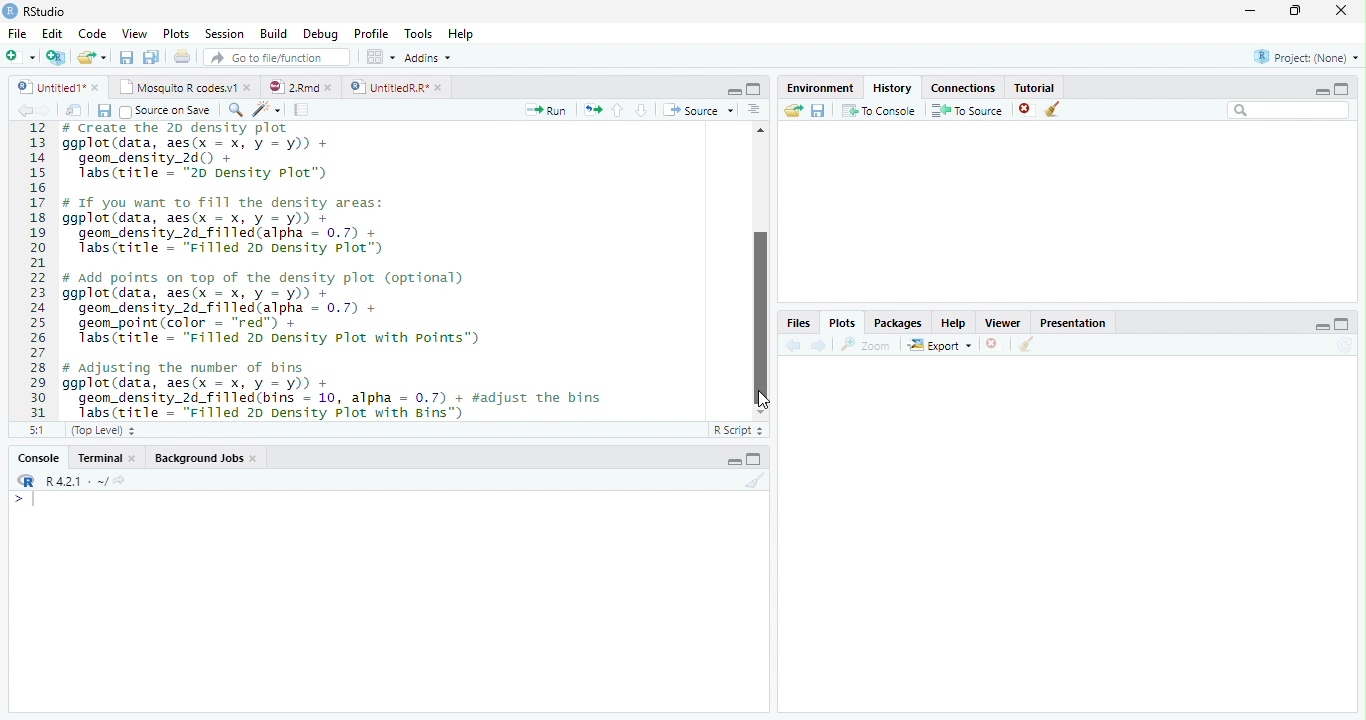 The image size is (1366, 720). What do you see at coordinates (1249, 12) in the screenshot?
I see `minimize` at bounding box center [1249, 12].